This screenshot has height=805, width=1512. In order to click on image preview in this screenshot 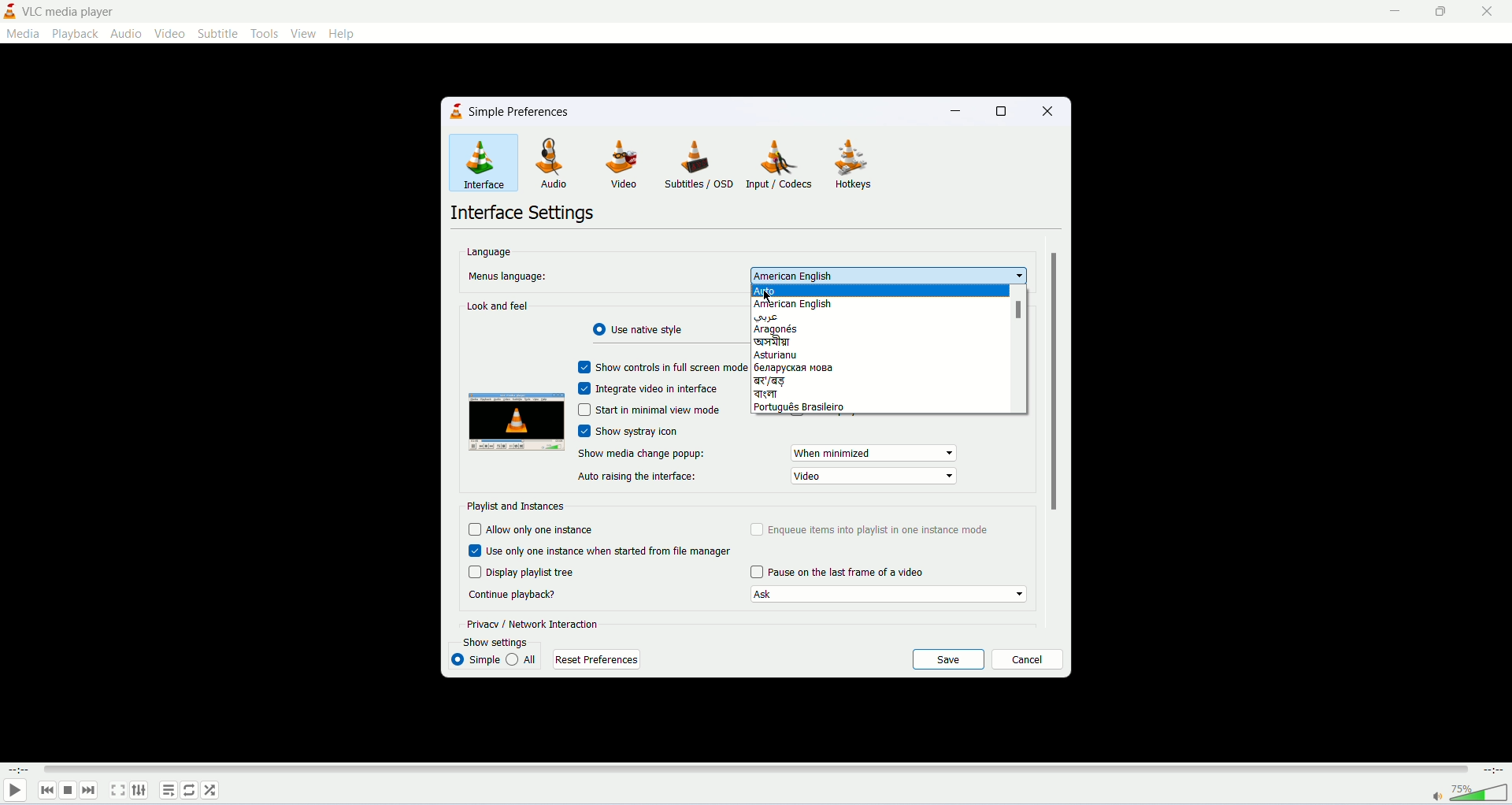, I will do `click(516, 422)`.